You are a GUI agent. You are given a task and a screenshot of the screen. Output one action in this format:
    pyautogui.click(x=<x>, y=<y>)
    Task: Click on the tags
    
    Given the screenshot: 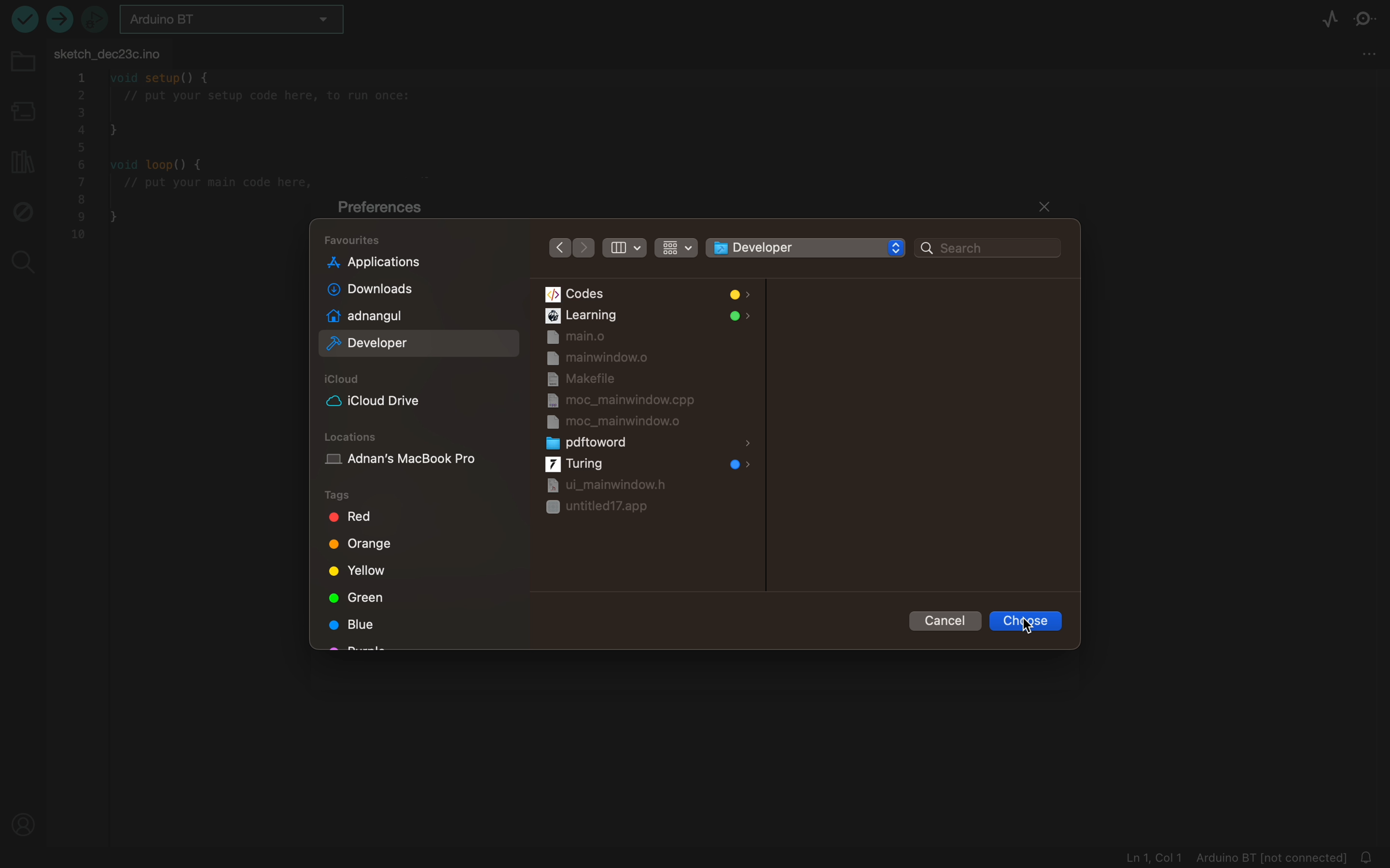 What is the action you would take?
    pyautogui.click(x=399, y=497)
    